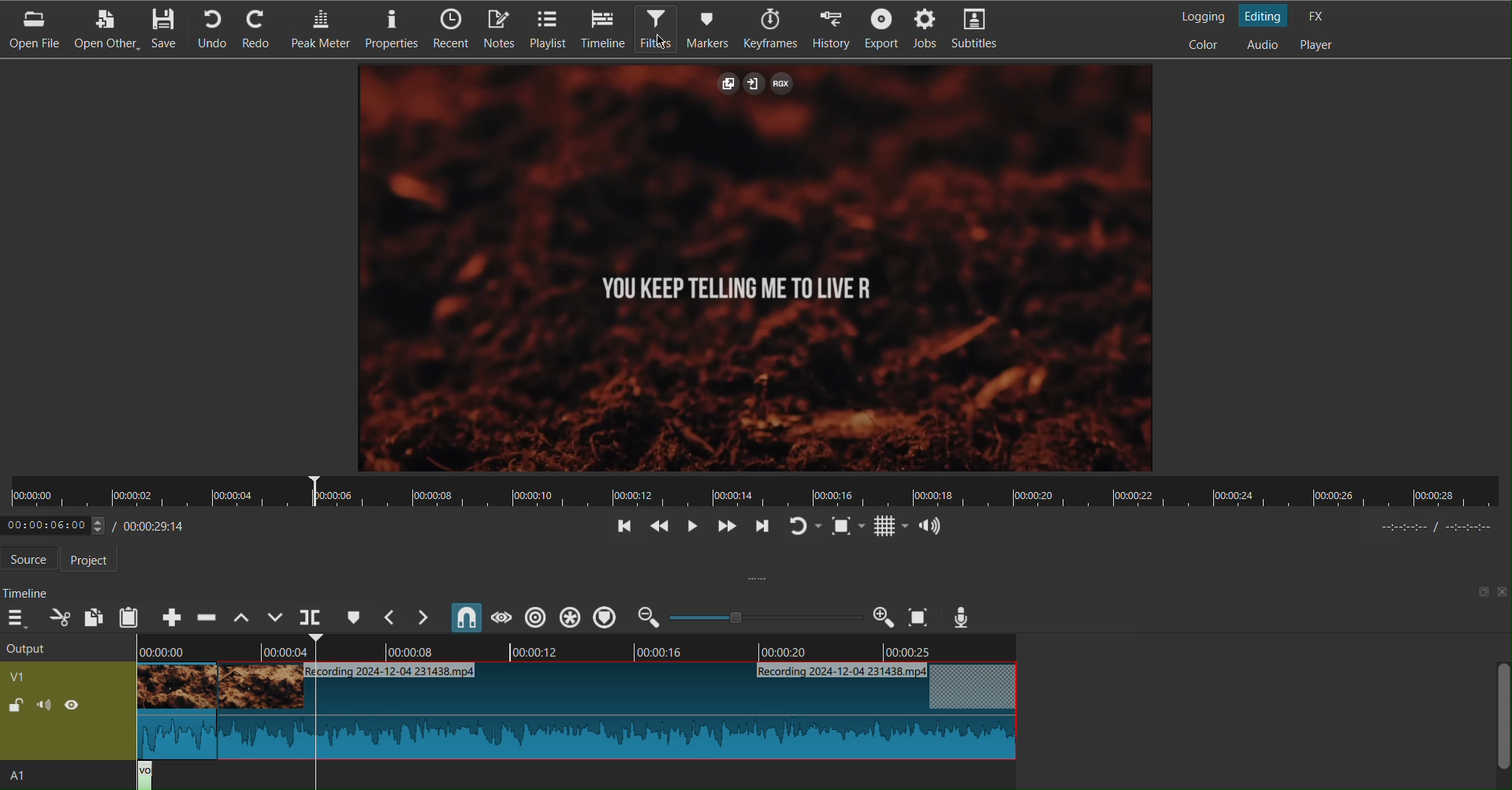 Image resolution: width=1512 pixels, height=790 pixels. I want to click on Cut, so click(60, 617).